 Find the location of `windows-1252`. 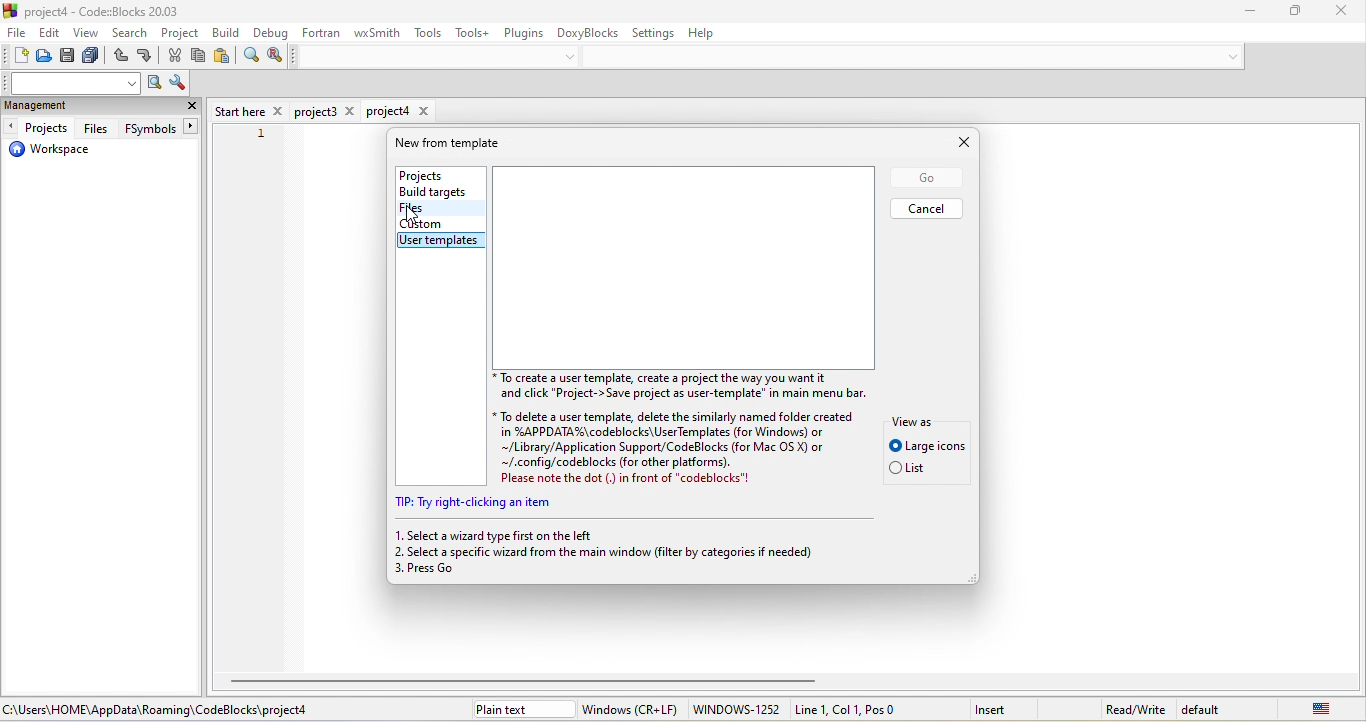

windows-1252 is located at coordinates (736, 710).